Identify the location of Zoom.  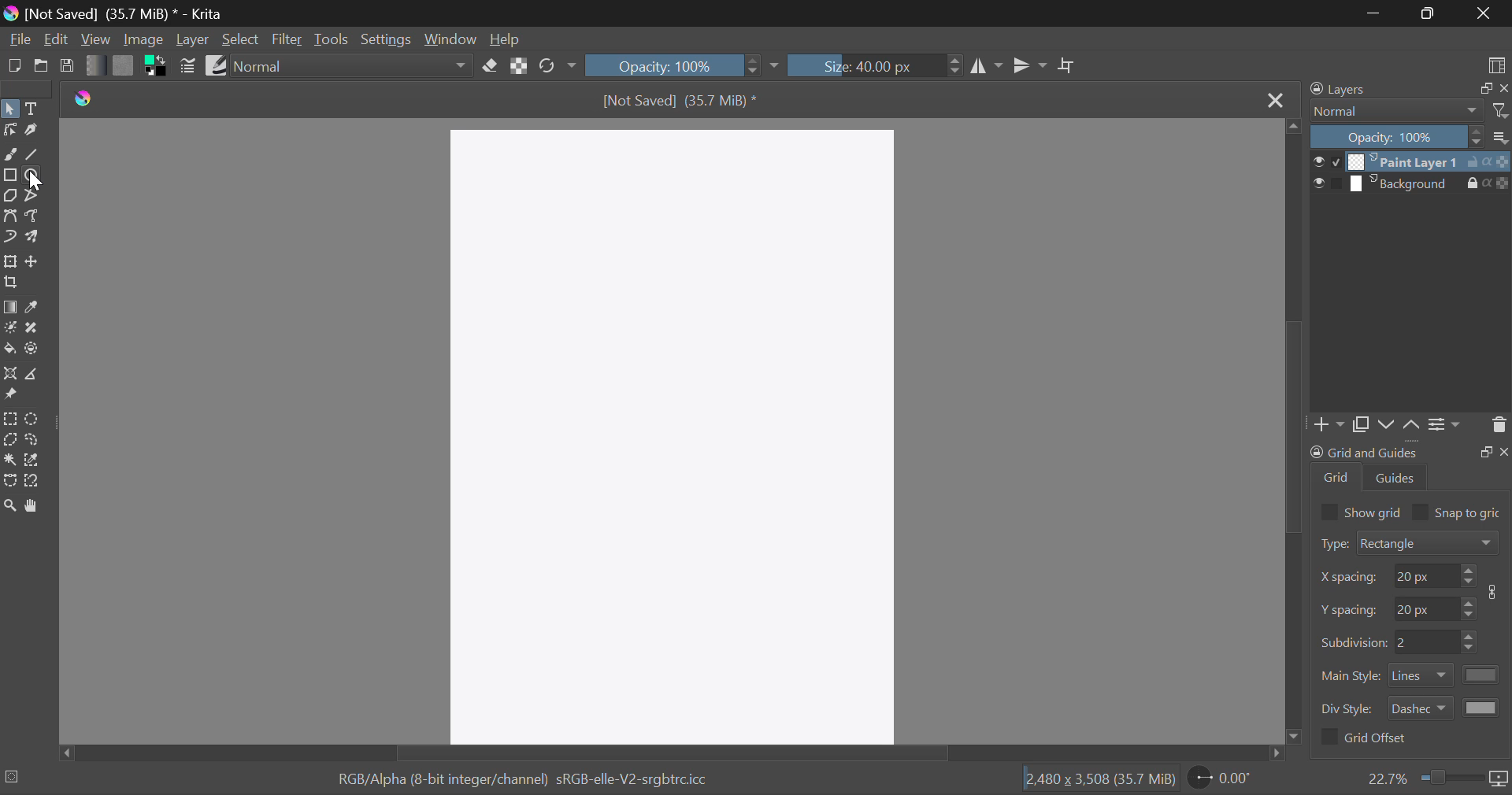
(1437, 778).